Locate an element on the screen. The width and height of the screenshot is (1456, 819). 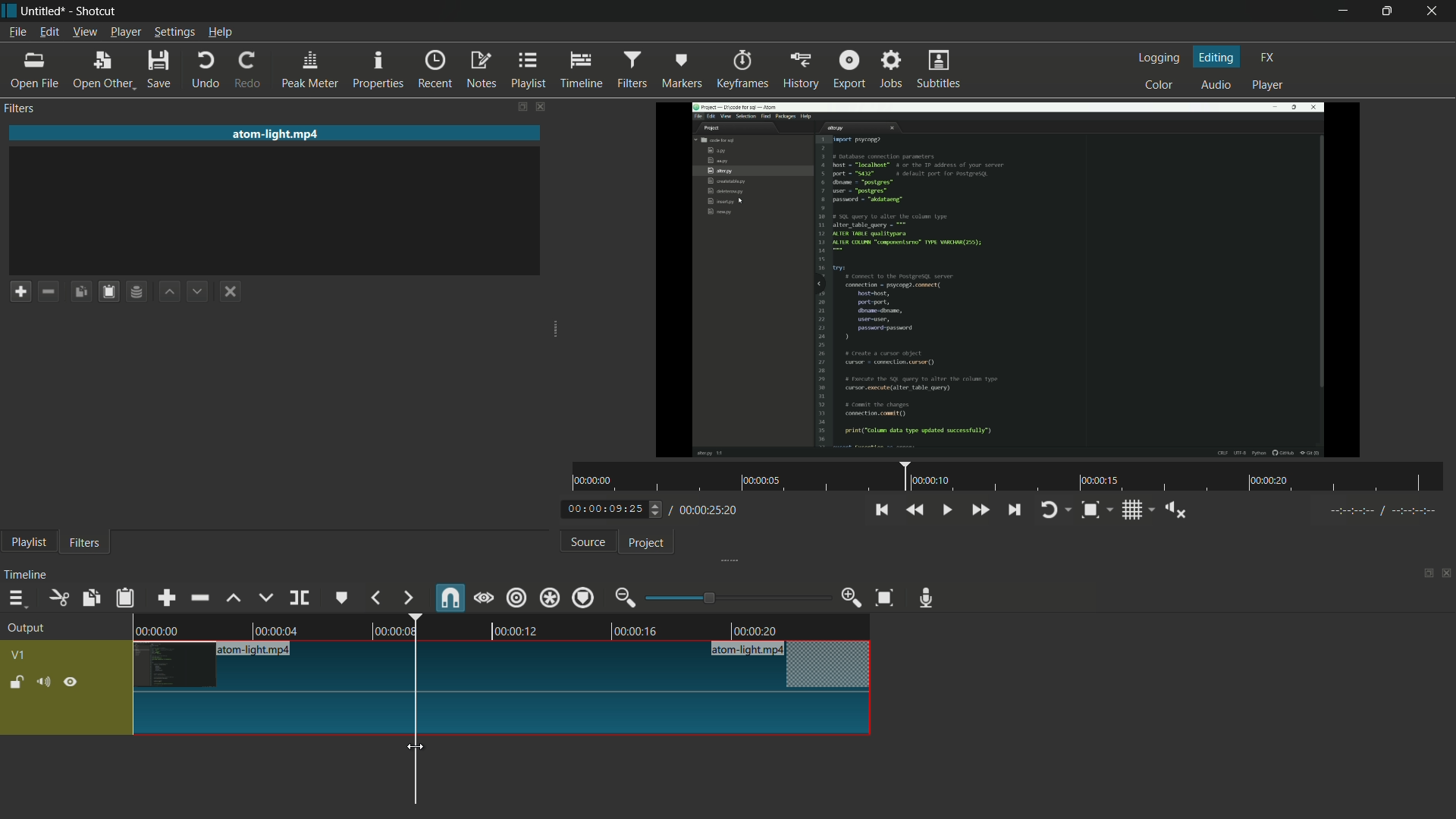
notes is located at coordinates (481, 71).